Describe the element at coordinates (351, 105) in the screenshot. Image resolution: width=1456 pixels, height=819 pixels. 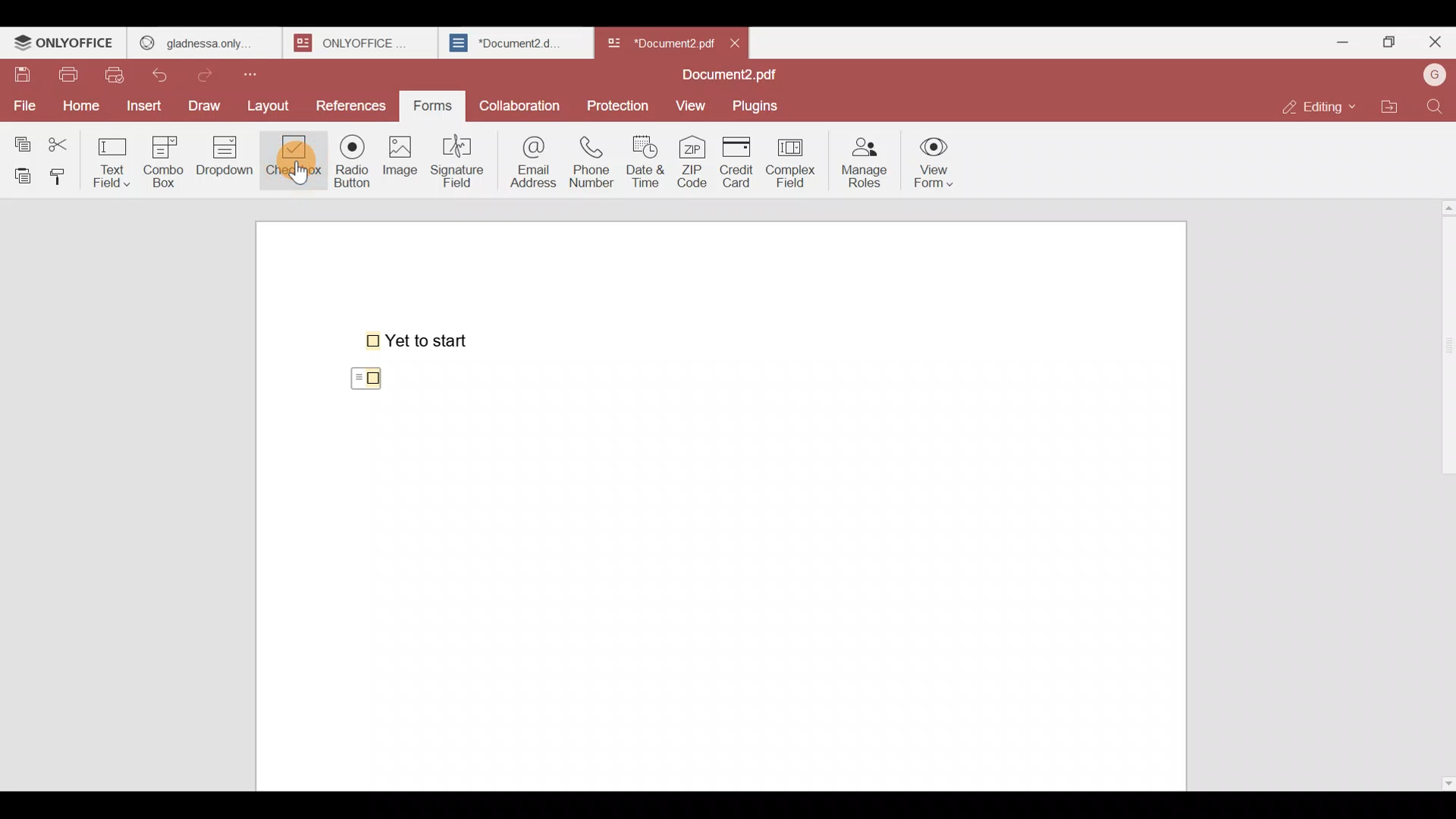
I see `References` at that location.